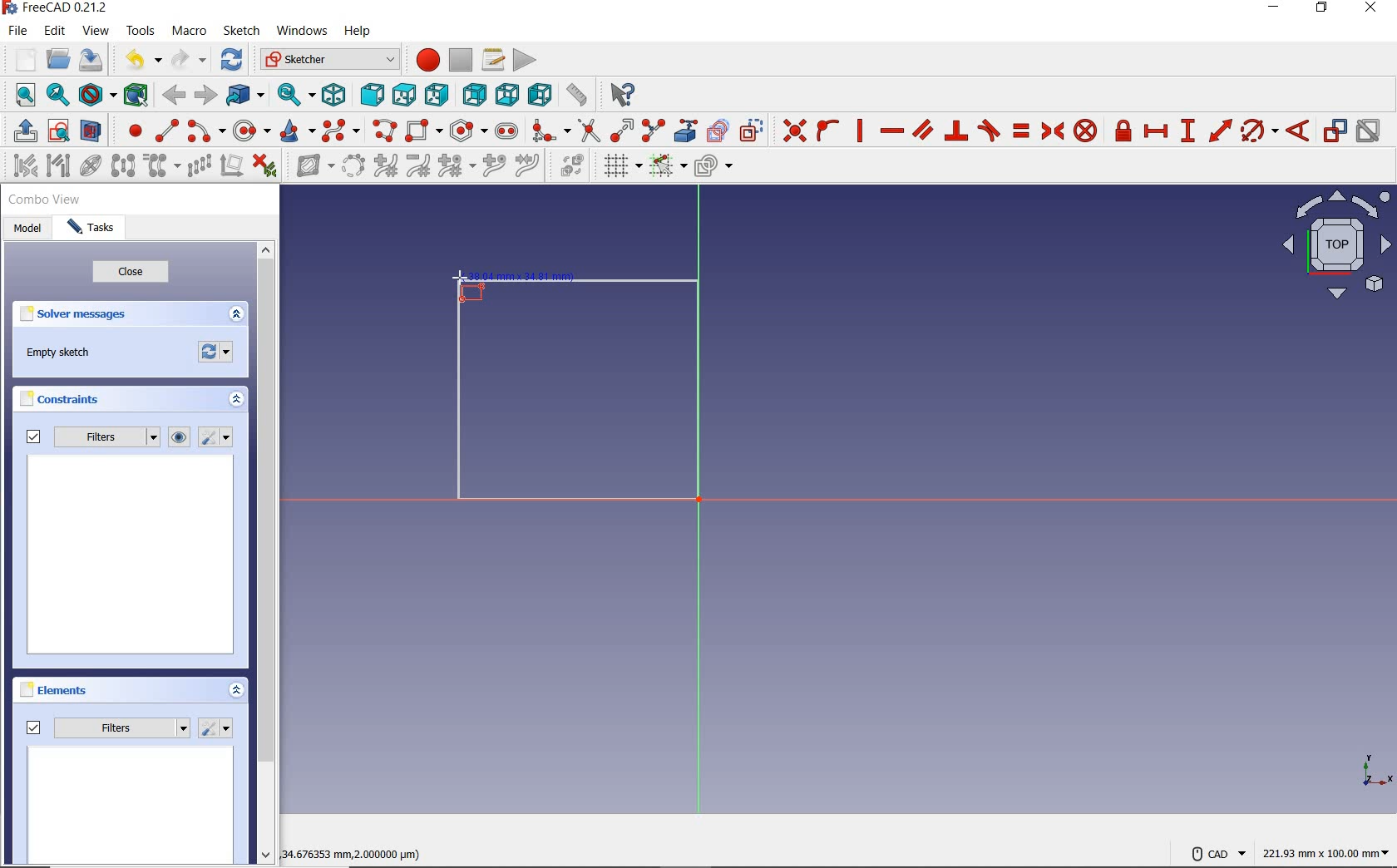  What do you see at coordinates (623, 96) in the screenshot?
I see `what's this?` at bounding box center [623, 96].